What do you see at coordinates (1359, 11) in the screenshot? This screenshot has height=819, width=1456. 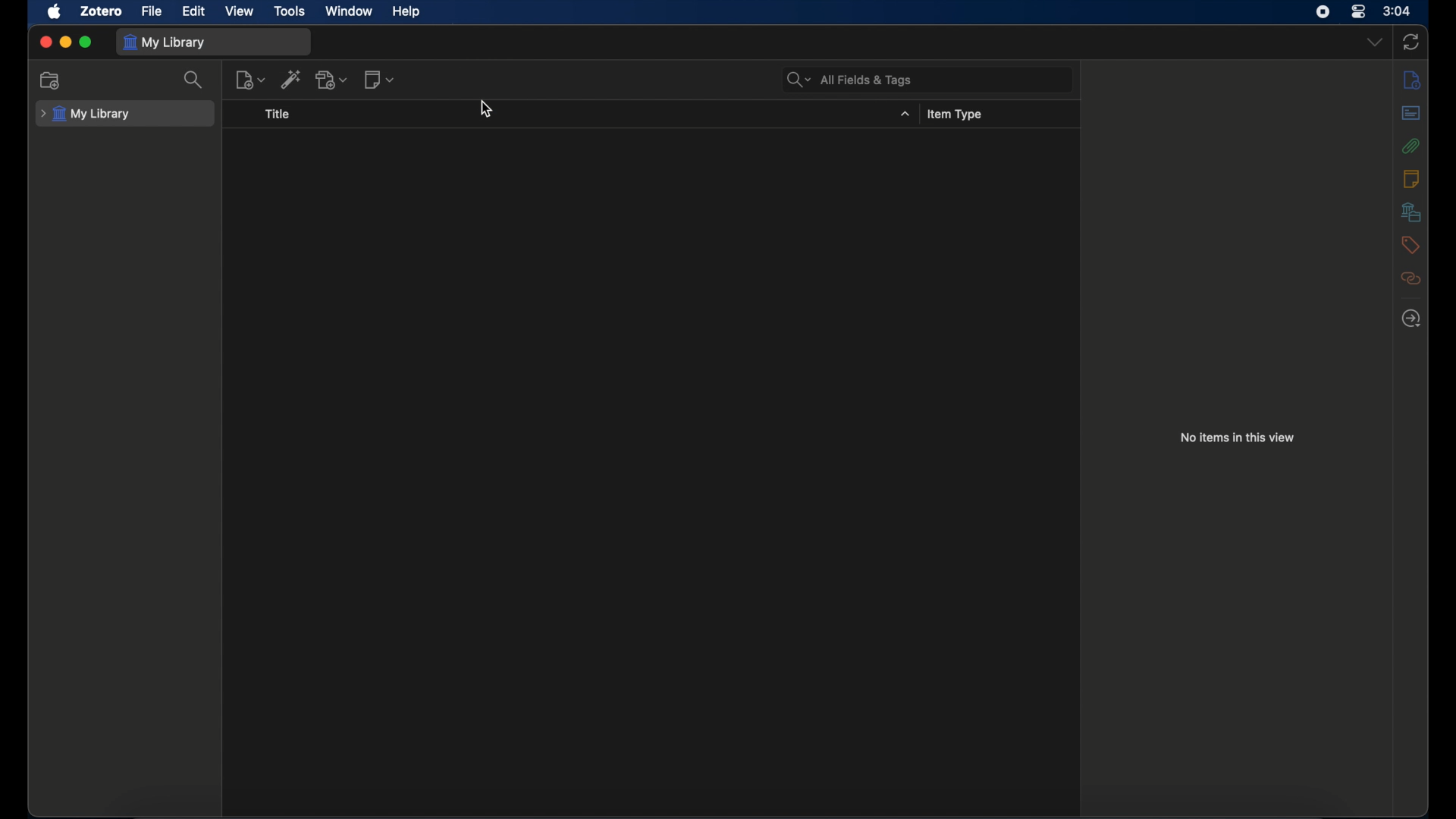 I see `control center` at bounding box center [1359, 11].